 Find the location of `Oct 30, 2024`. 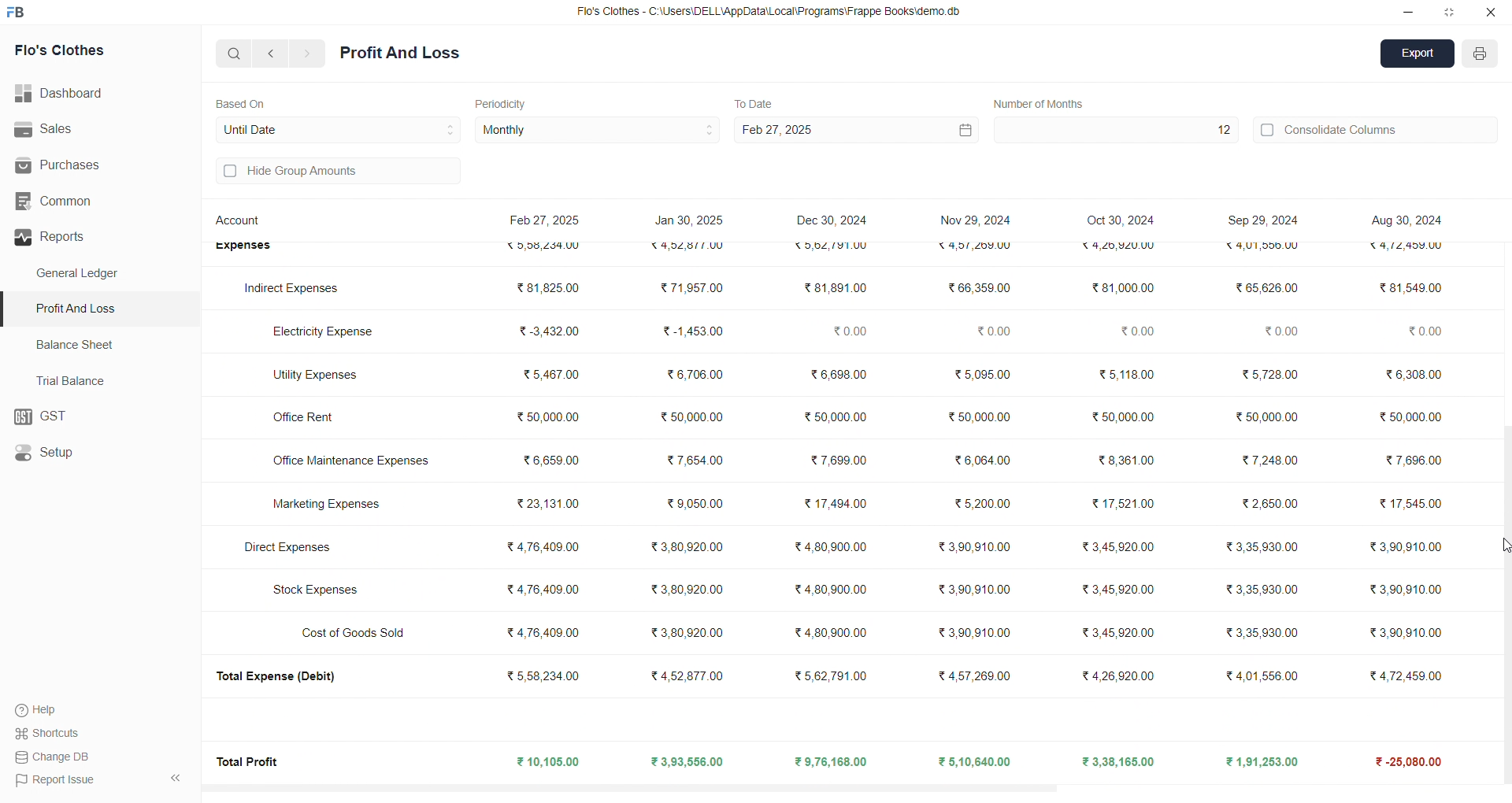

Oct 30, 2024 is located at coordinates (1123, 221).